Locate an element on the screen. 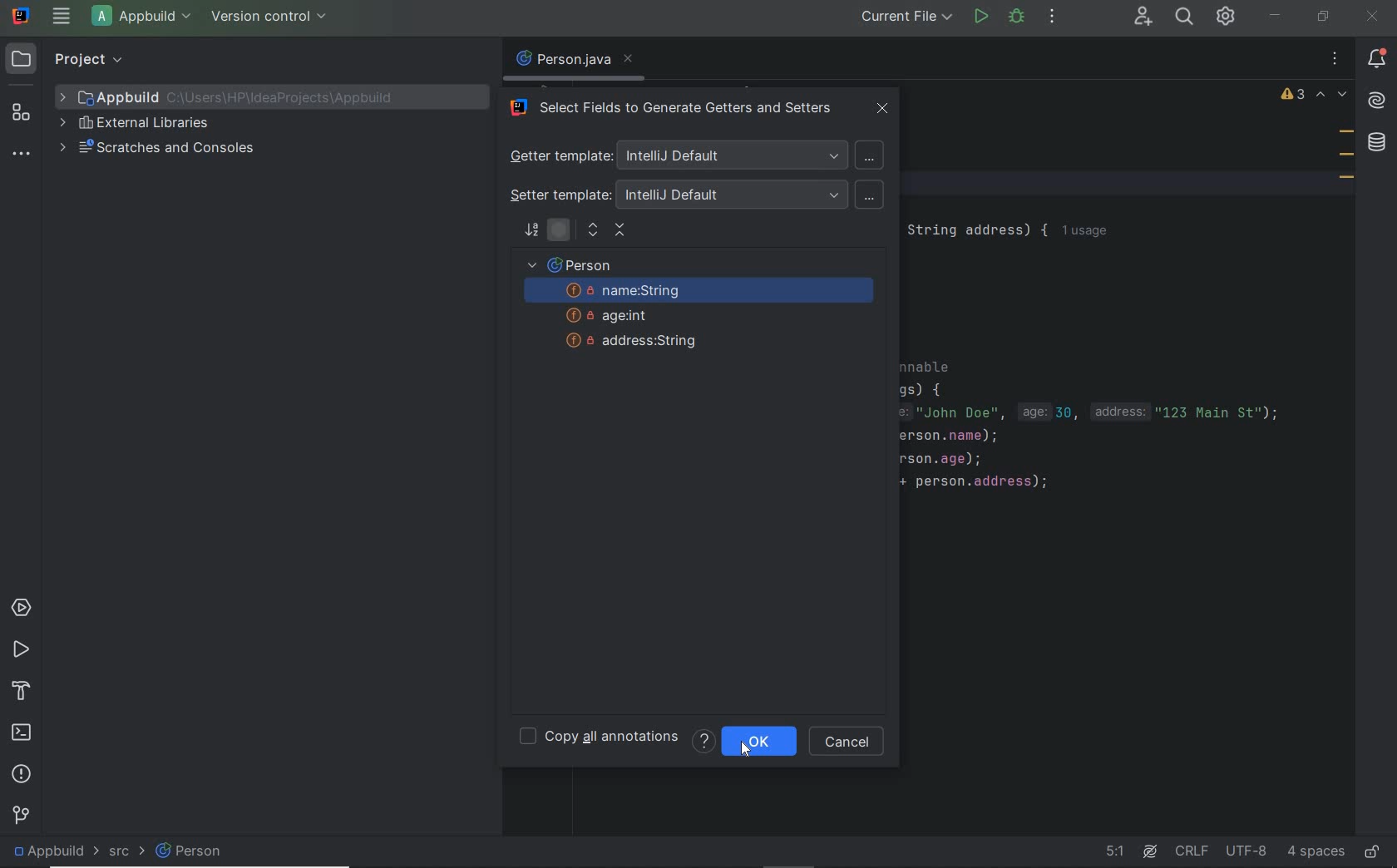 This screenshot has height=868, width=1397. field marks is located at coordinates (1346, 157).